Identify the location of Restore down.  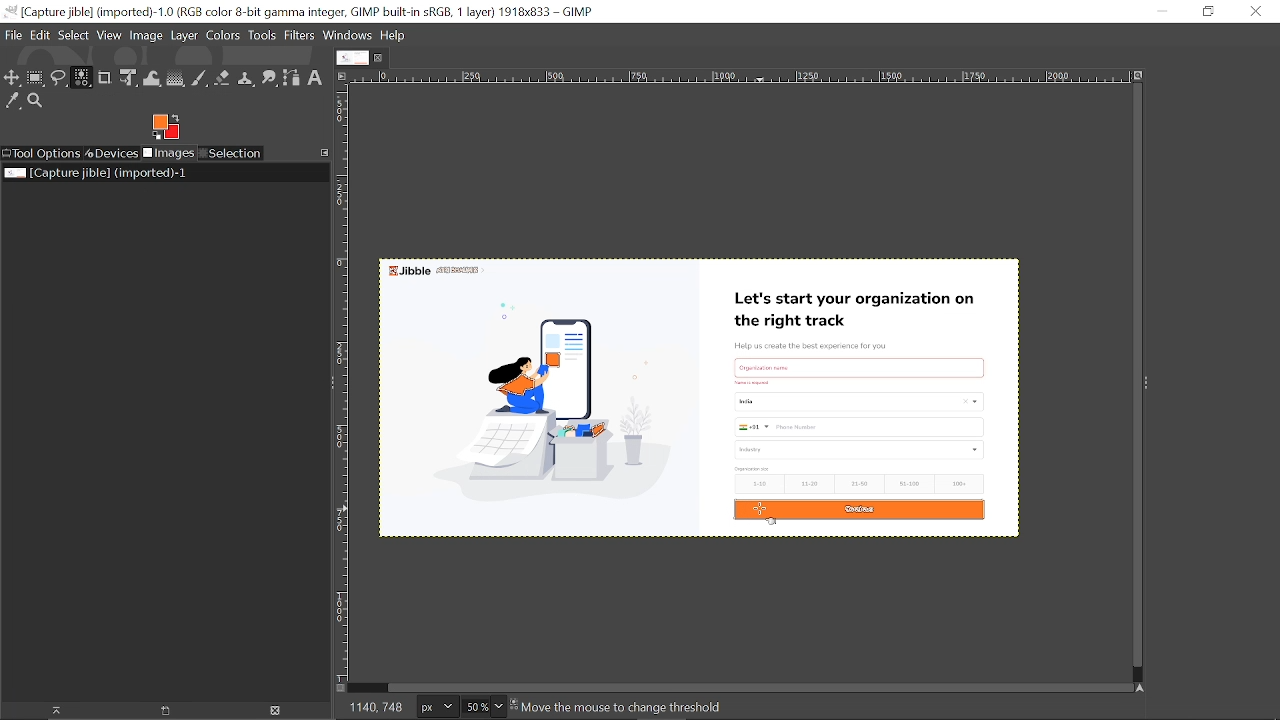
(1208, 12).